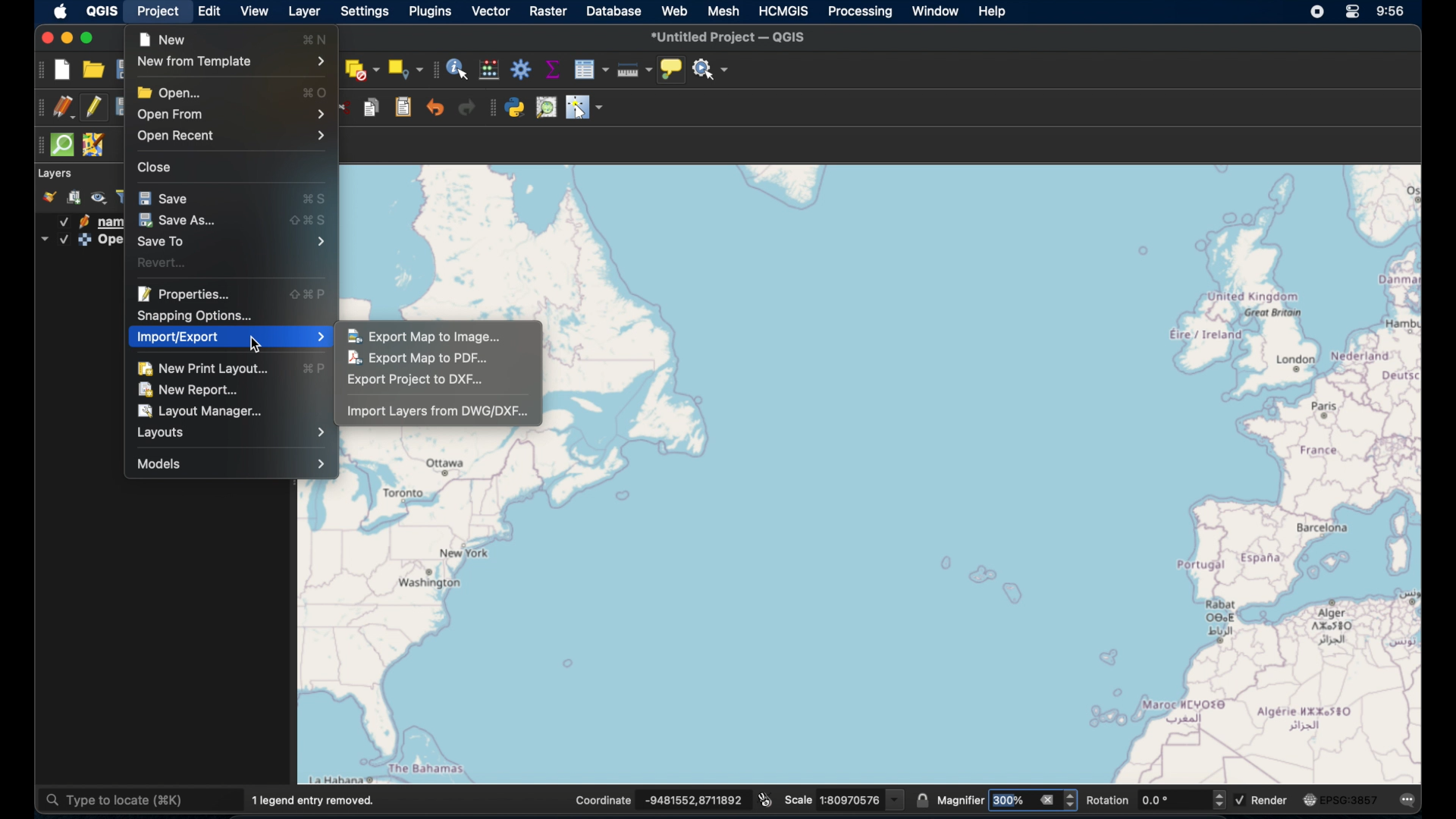  What do you see at coordinates (515, 109) in the screenshot?
I see `python console` at bounding box center [515, 109].